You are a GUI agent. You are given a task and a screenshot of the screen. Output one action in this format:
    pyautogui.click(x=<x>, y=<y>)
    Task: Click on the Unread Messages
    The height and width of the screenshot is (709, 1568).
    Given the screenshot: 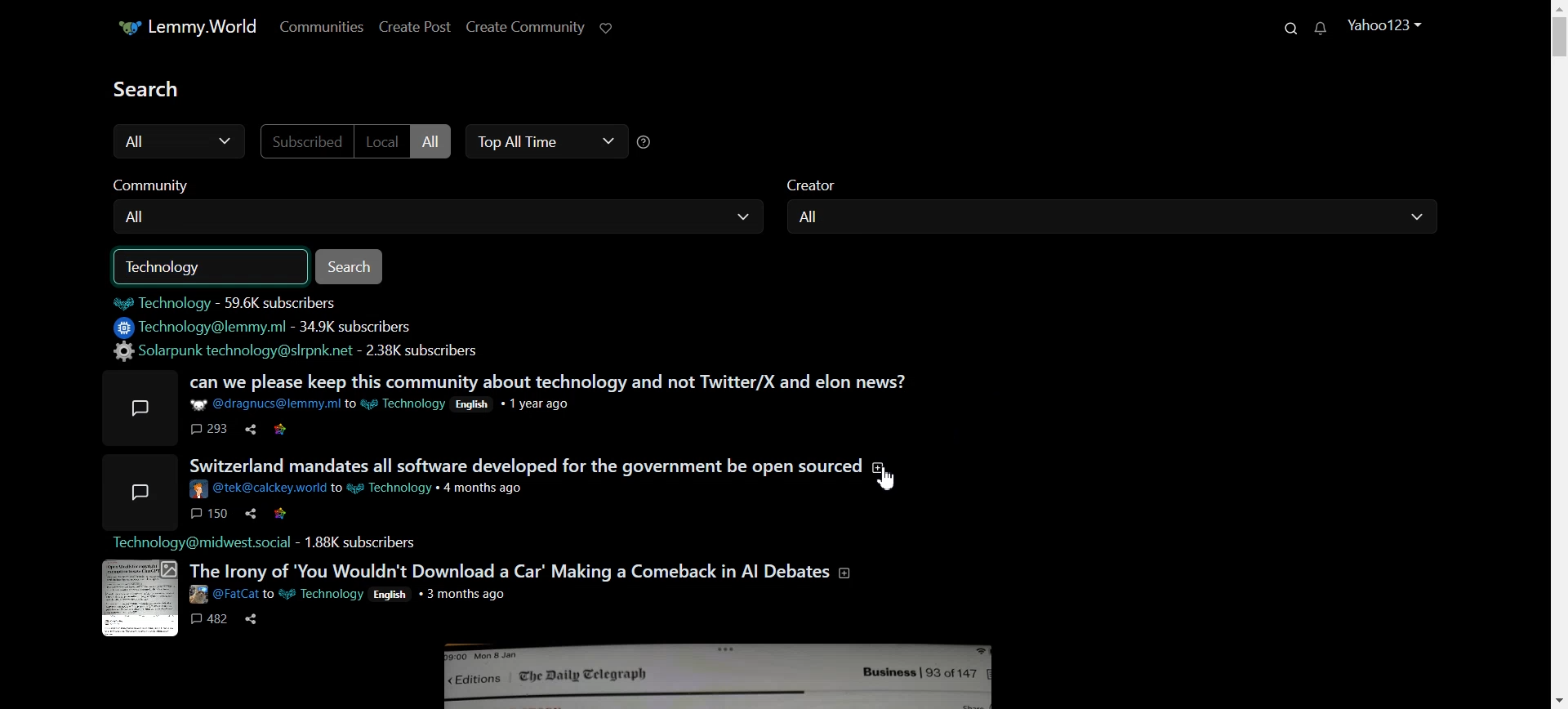 What is the action you would take?
    pyautogui.click(x=1325, y=27)
    